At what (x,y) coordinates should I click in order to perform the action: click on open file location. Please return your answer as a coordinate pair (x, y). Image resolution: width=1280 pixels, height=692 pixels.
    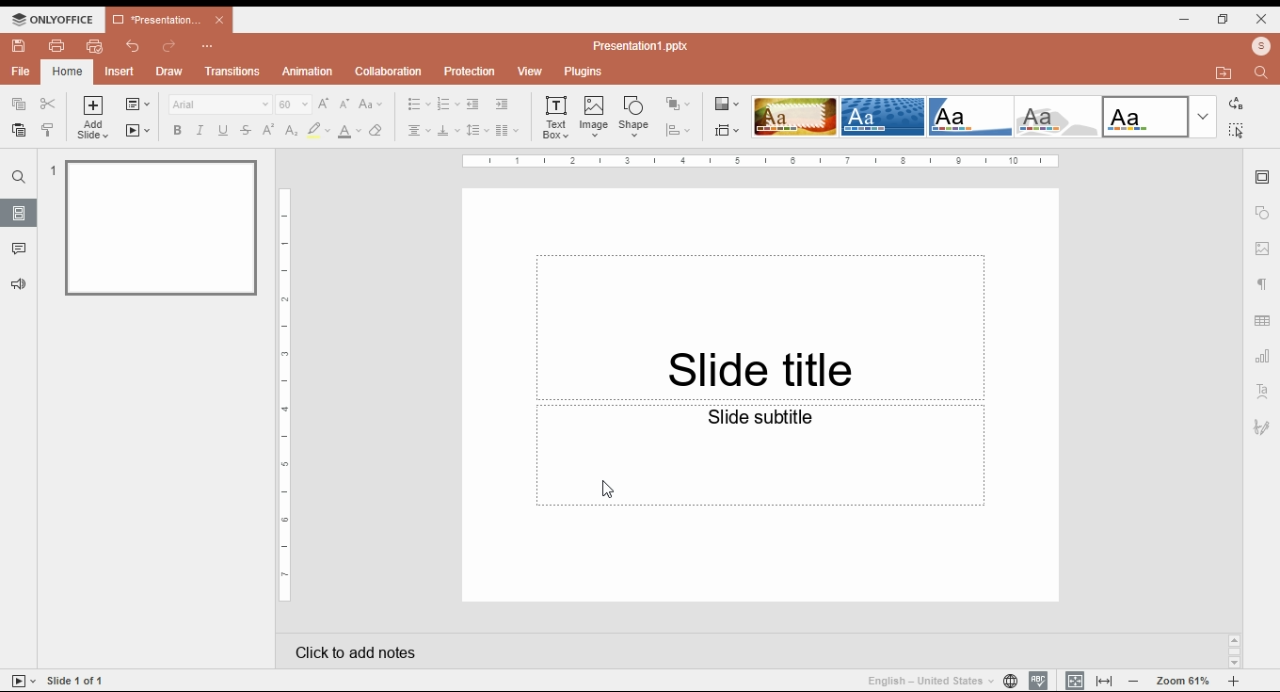
    Looking at the image, I should click on (1227, 74).